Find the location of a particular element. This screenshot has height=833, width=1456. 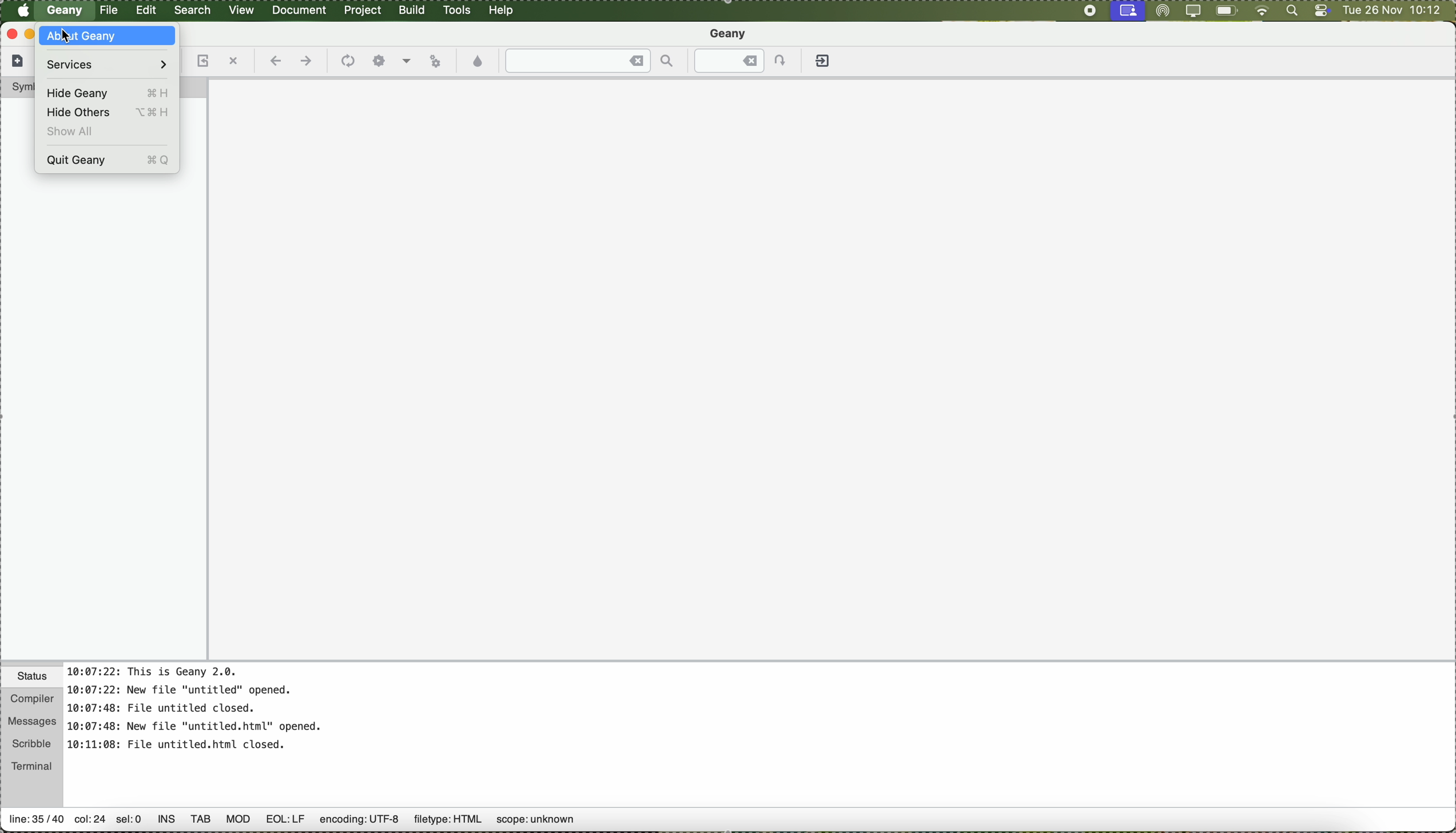

workspace is located at coordinates (832, 370).